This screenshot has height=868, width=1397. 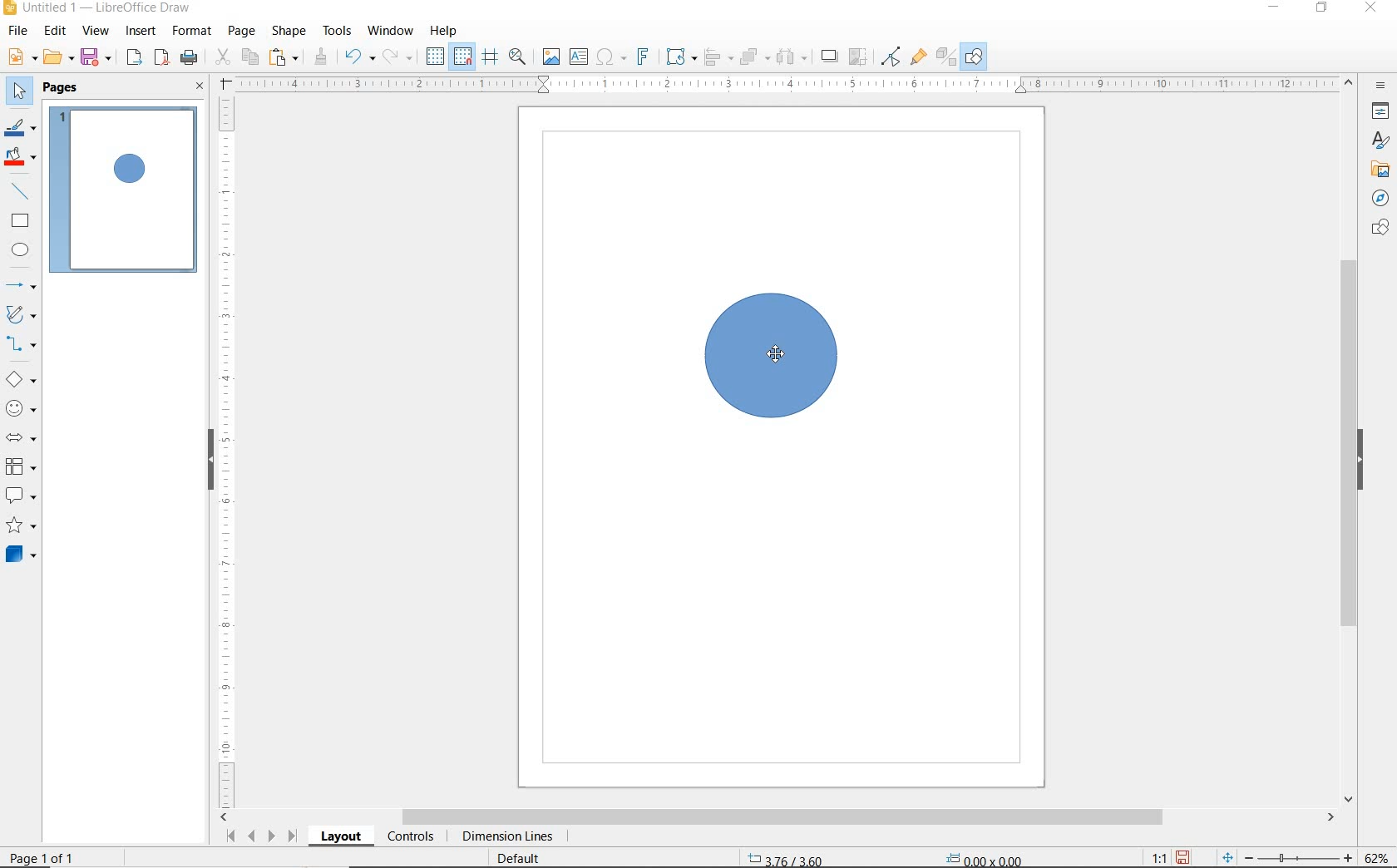 I want to click on WINDOW, so click(x=391, y=31).